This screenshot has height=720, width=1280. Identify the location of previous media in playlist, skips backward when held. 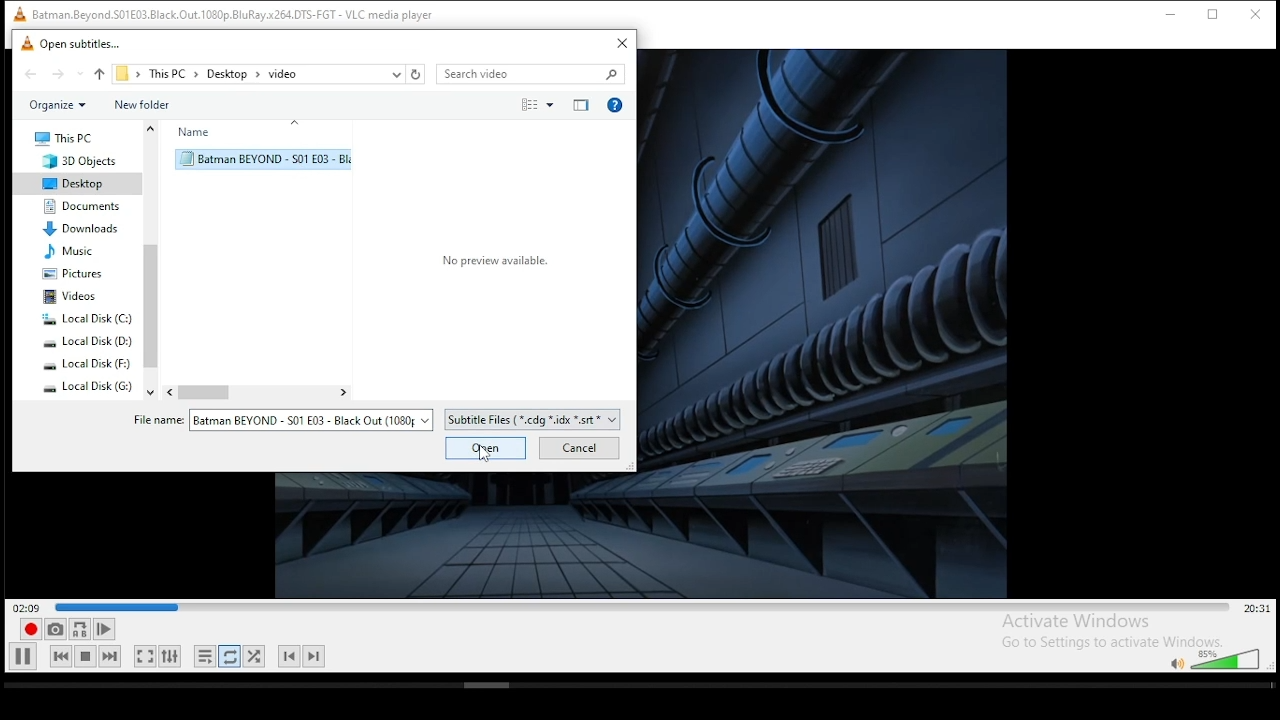
(61, 657).